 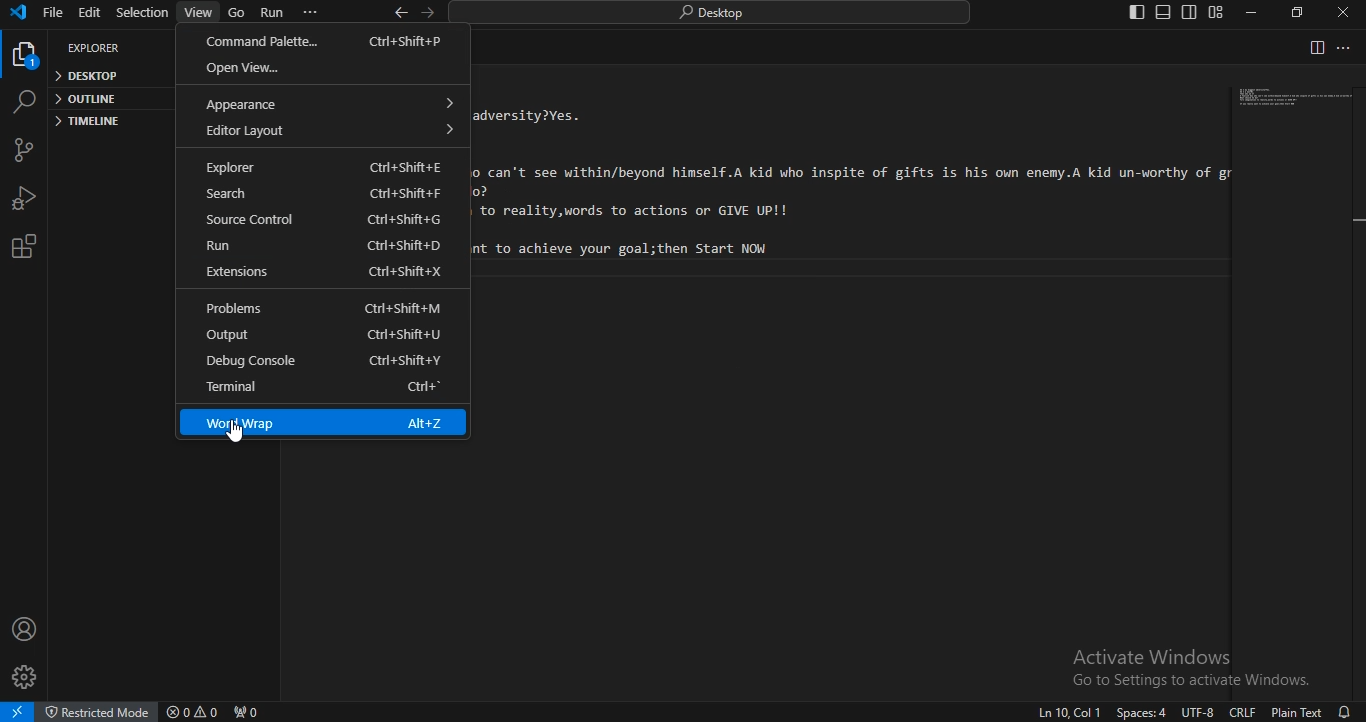 I want to click on go forward, so click(x=430, y=13).